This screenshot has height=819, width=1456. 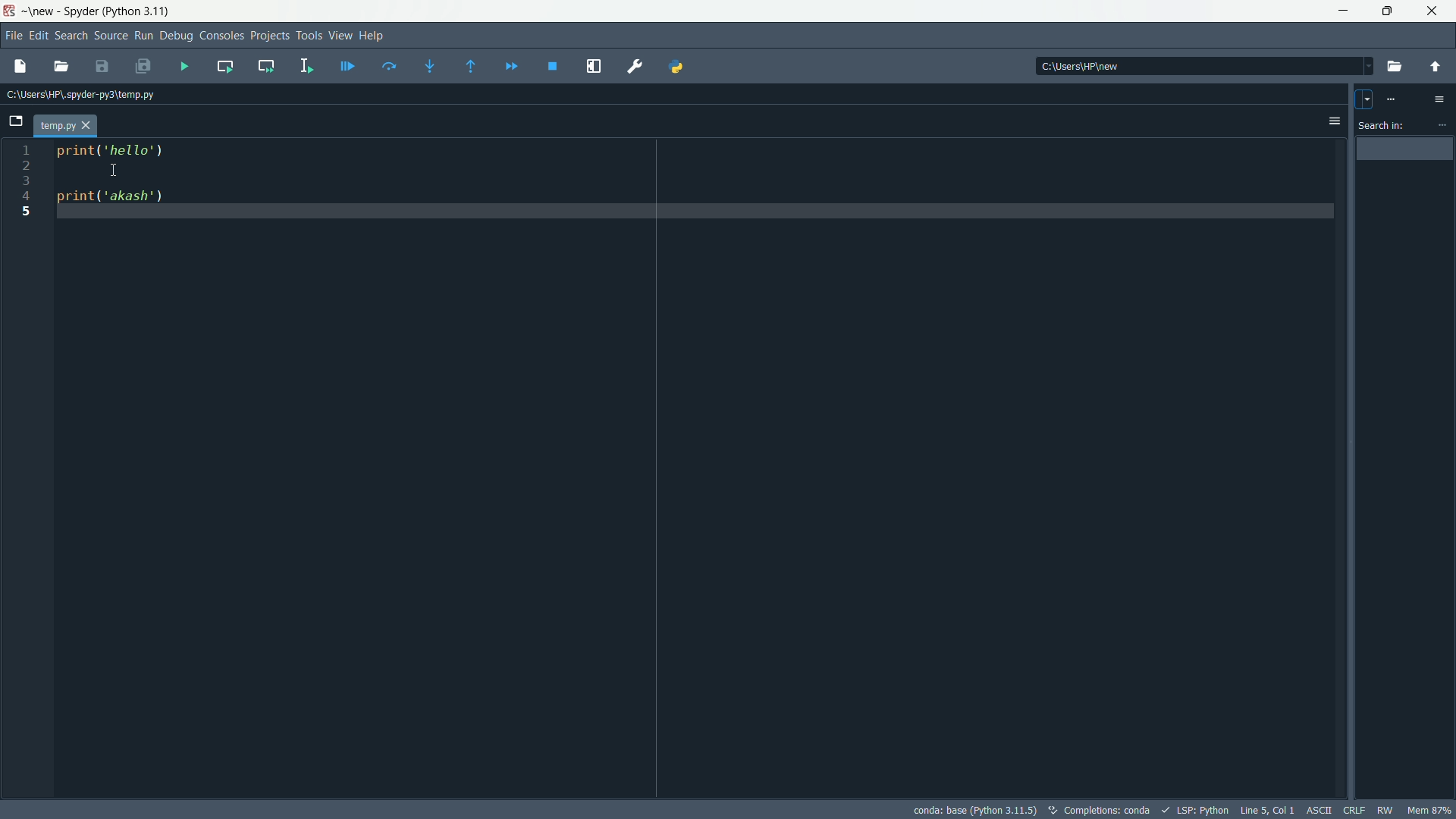 I want to click on file eol status, so click(x=1357, y=809).